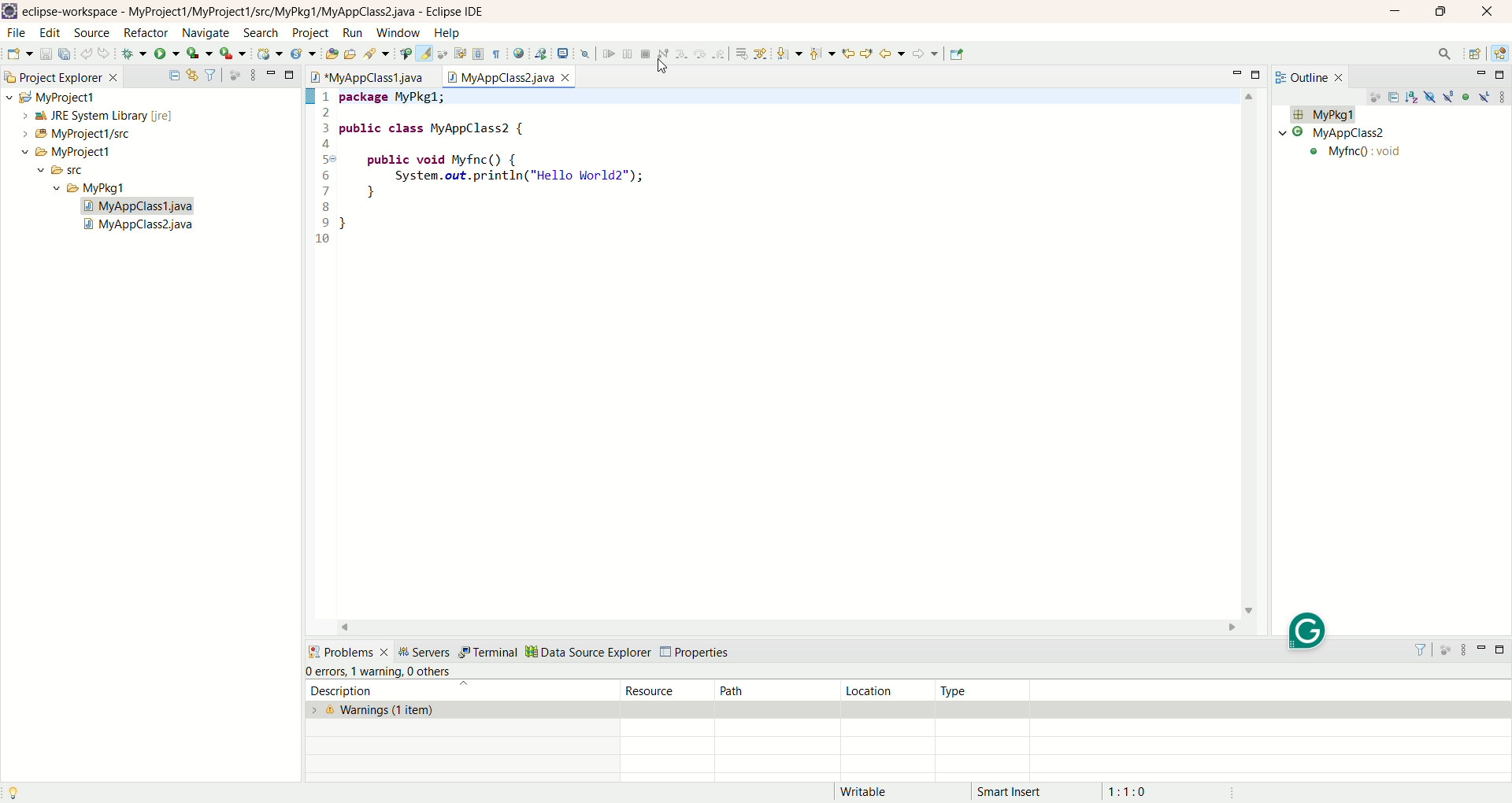 This screenshot has width=1512, height=803. I want to click on Pin editor, so click(958, 54).